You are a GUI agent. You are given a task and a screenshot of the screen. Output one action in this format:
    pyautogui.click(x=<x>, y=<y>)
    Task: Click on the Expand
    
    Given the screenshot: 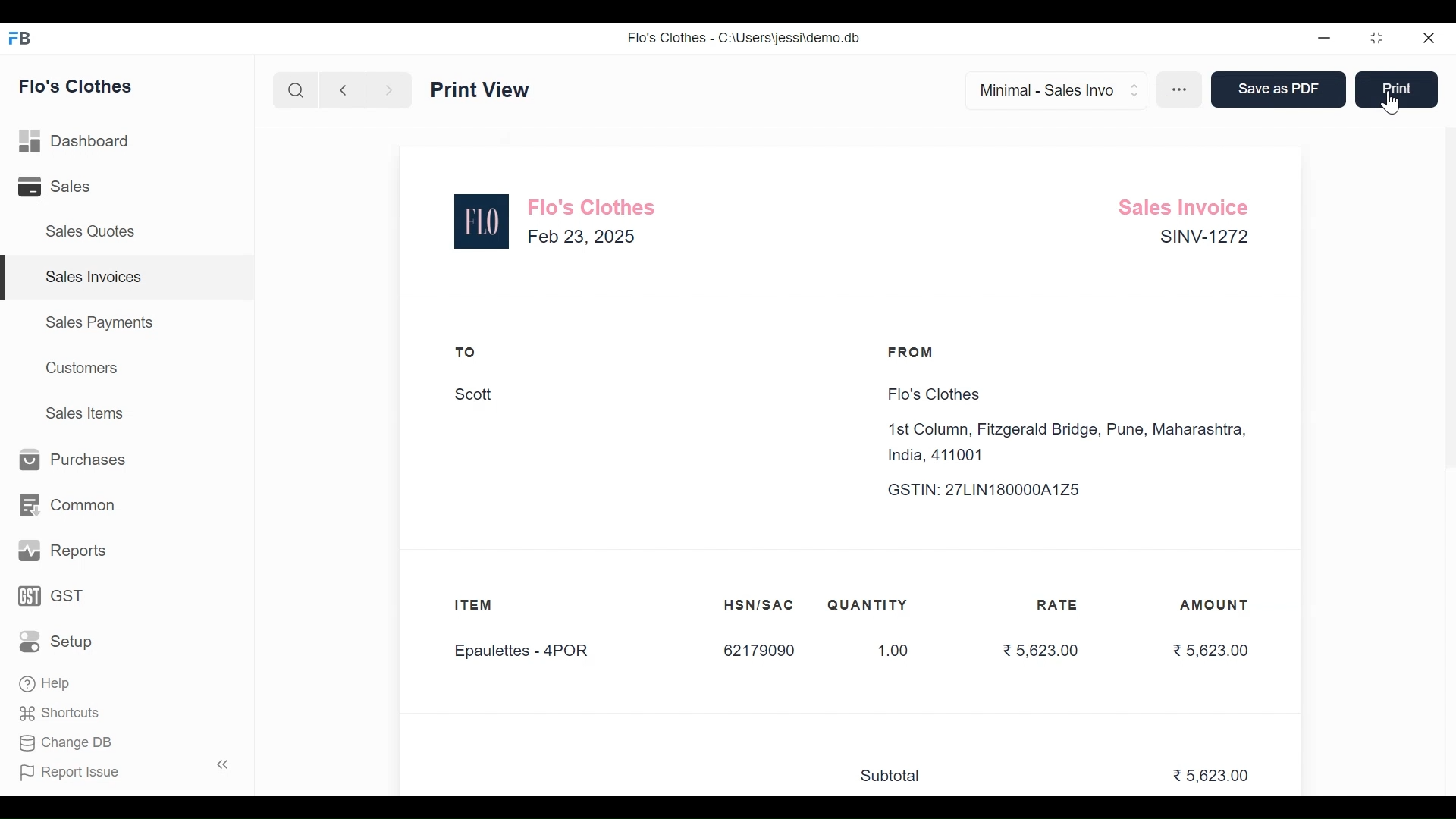 What is the action you would take?
    pyautogui.click(x=1136, y=88)
    